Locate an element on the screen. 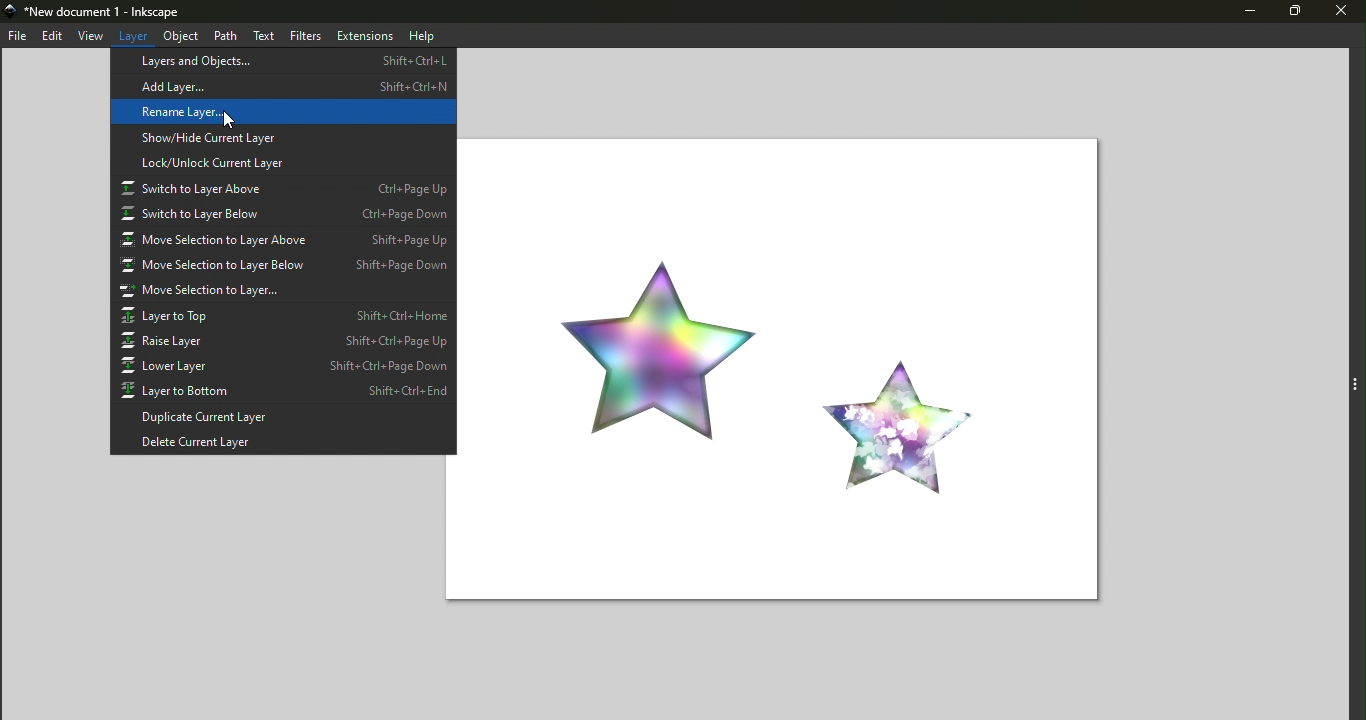 The image size is (1366, 720). Move selection to layer below is located at coordinates (283, 264).